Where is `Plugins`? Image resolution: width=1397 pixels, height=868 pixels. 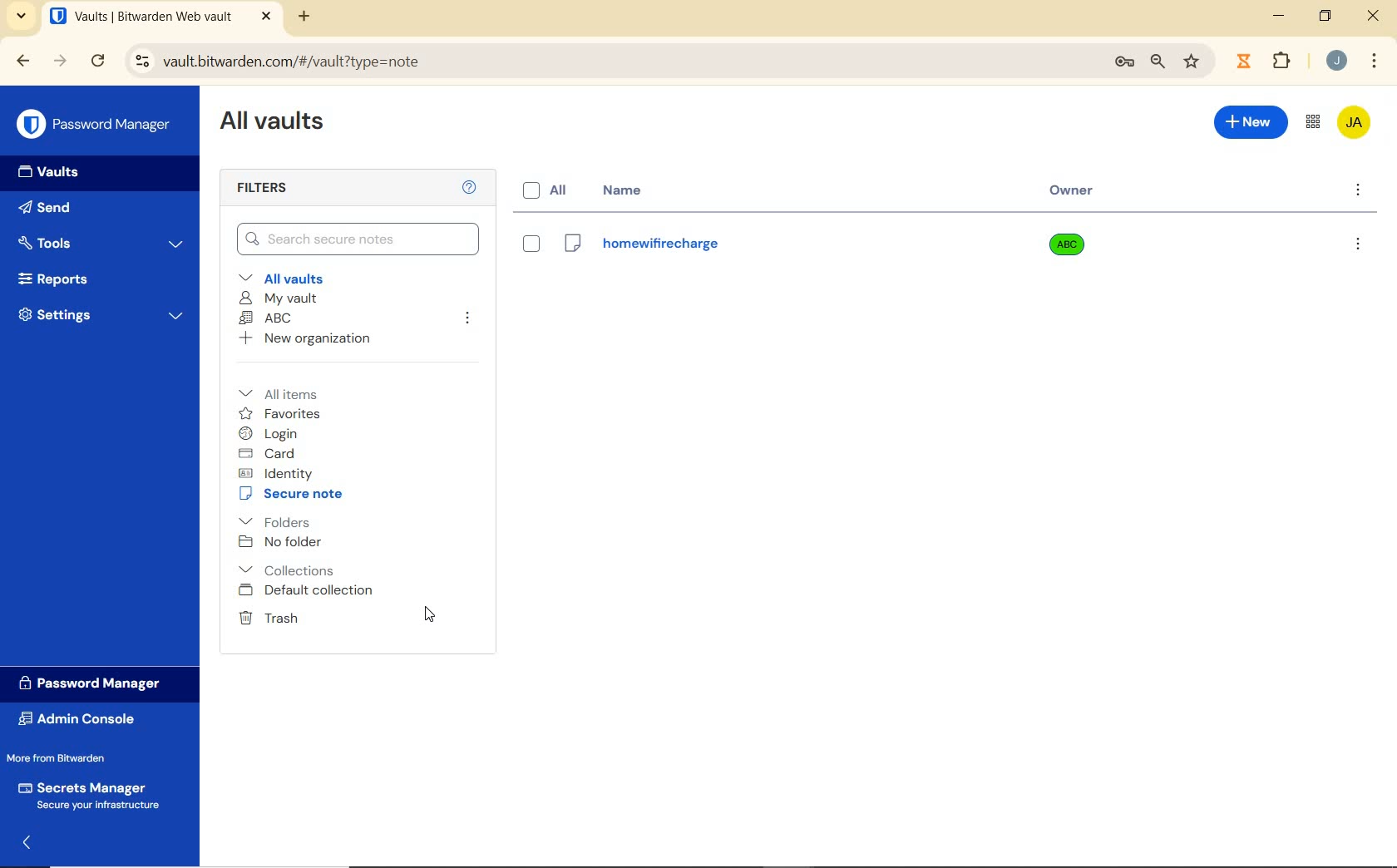
Plugins is located at coordinates (1285, 59).